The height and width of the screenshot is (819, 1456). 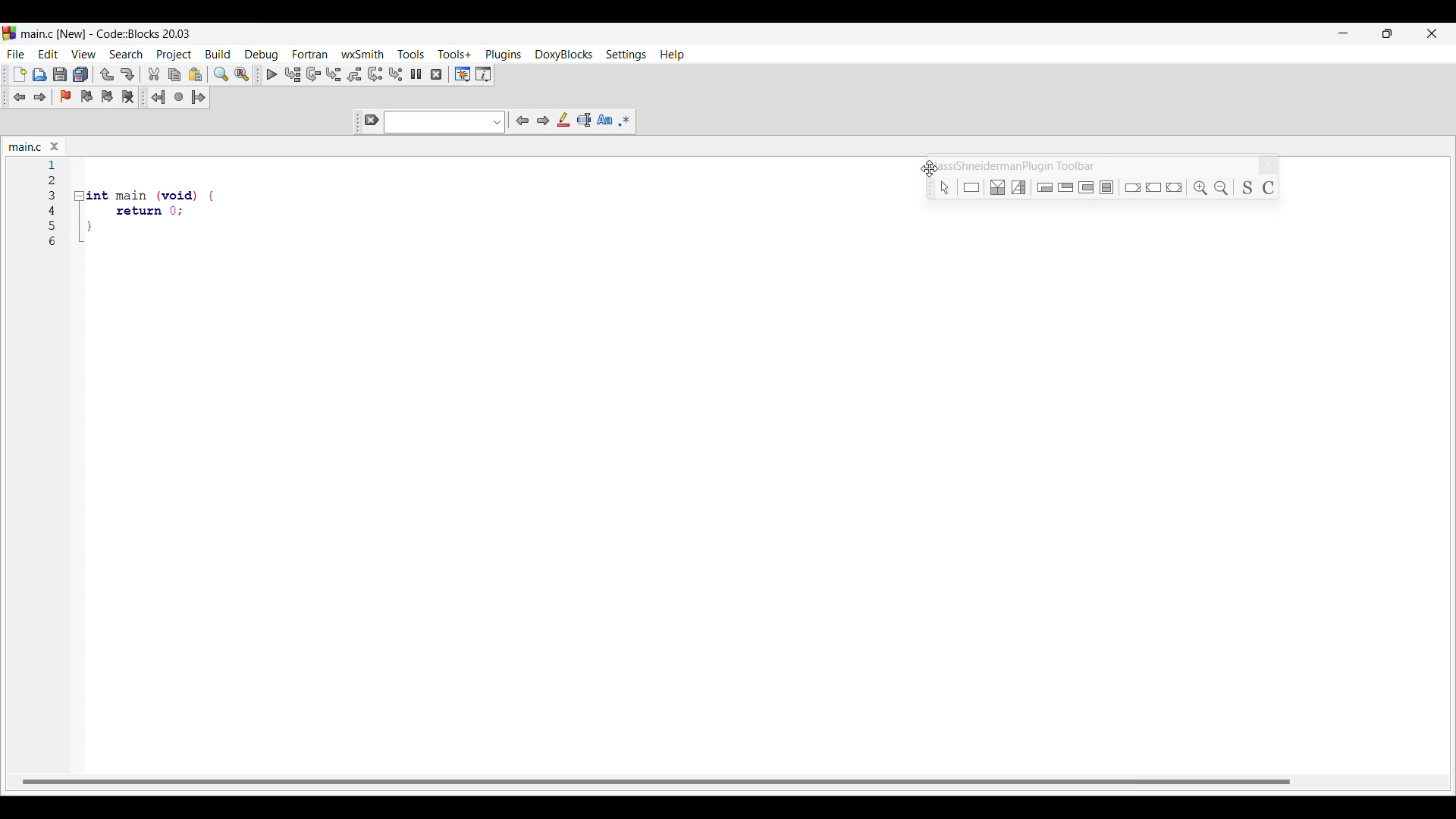 I want to click on New file, so click(x=20, y=74).